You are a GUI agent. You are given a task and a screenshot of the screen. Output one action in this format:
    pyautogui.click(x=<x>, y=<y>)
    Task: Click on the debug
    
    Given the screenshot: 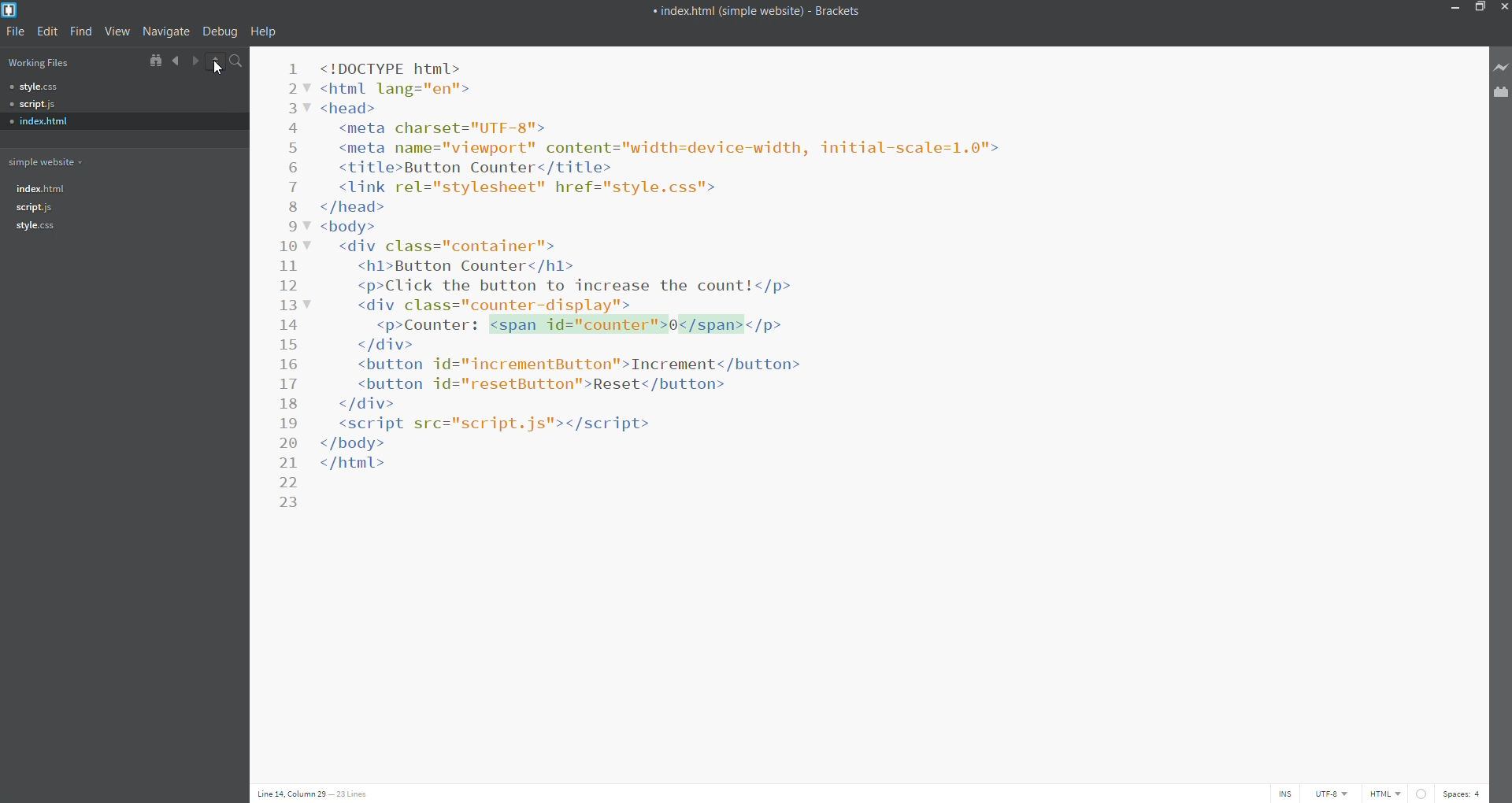 What is the action you would take?
    pyautogui.click(x=222, y=31)
    